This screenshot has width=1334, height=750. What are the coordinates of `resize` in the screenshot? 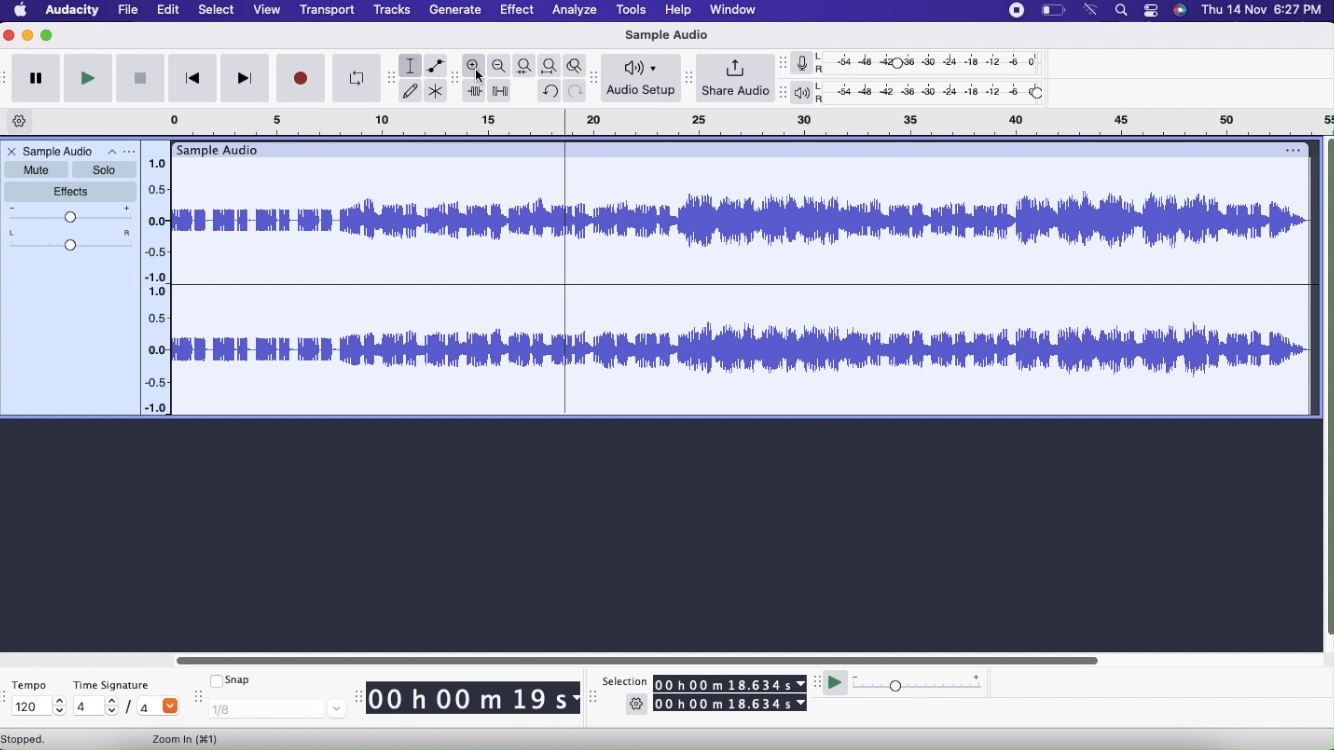 It's located at (781, 91).